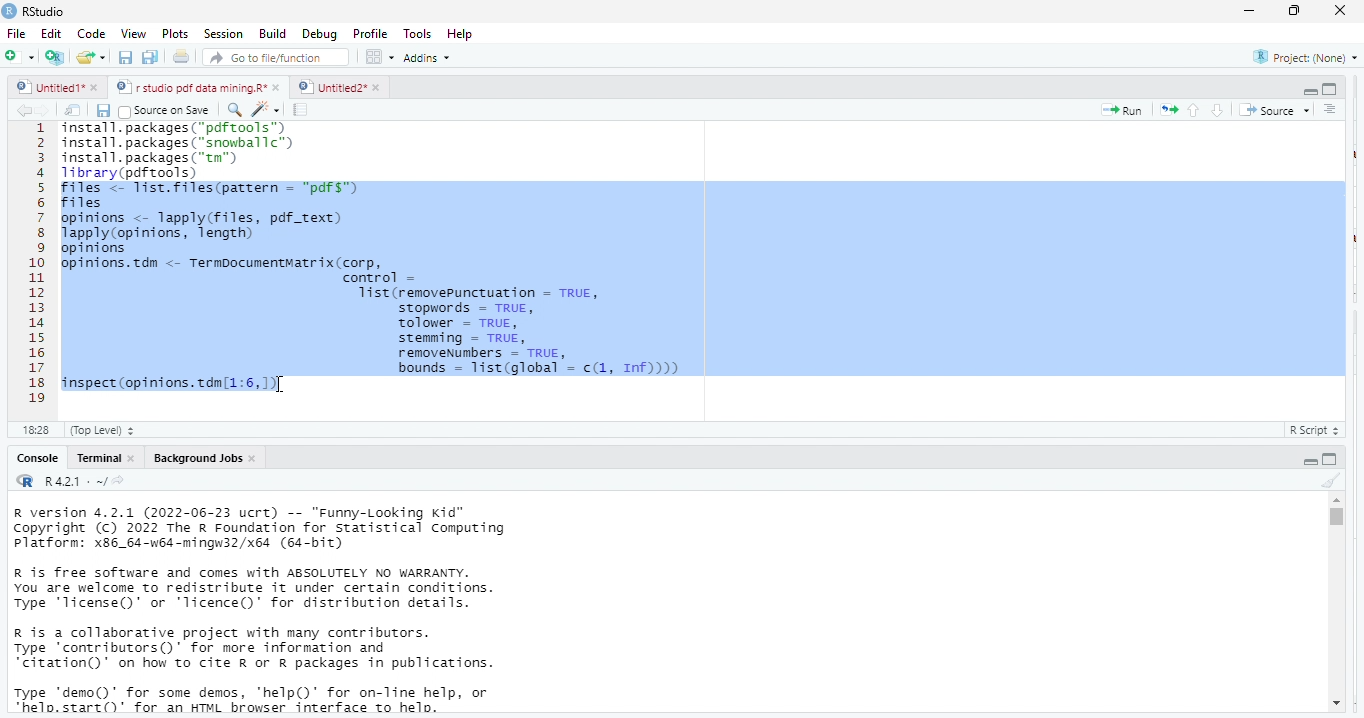 Image resolution: width=1364 pixels, height=718 pixels. I want to click on > install.packages("snowballc")

3 install. packages("tn")

+ 1ibrary(pdftools)

5 Files < Mist. Files (parcern - "pdfs"

5 Files

7 opinions <- lapply(files, pdf_text)

8 apply (opinions, length)

5 opinions

0 opinions. tdm <- Termpocumentvatrix (corp,

1 control =

2 Tist(removepunctuation = TRUE,
3 stopwords = TRUE,

A Tolower = TRUE,

5 stemming = TRUE,

3 removeNumbers = TRUE,

7 bounds = Tist(global = c(1, 1n))))
8 inspect (opinions. tdn(1:6,1)

5, so click(701, 260).